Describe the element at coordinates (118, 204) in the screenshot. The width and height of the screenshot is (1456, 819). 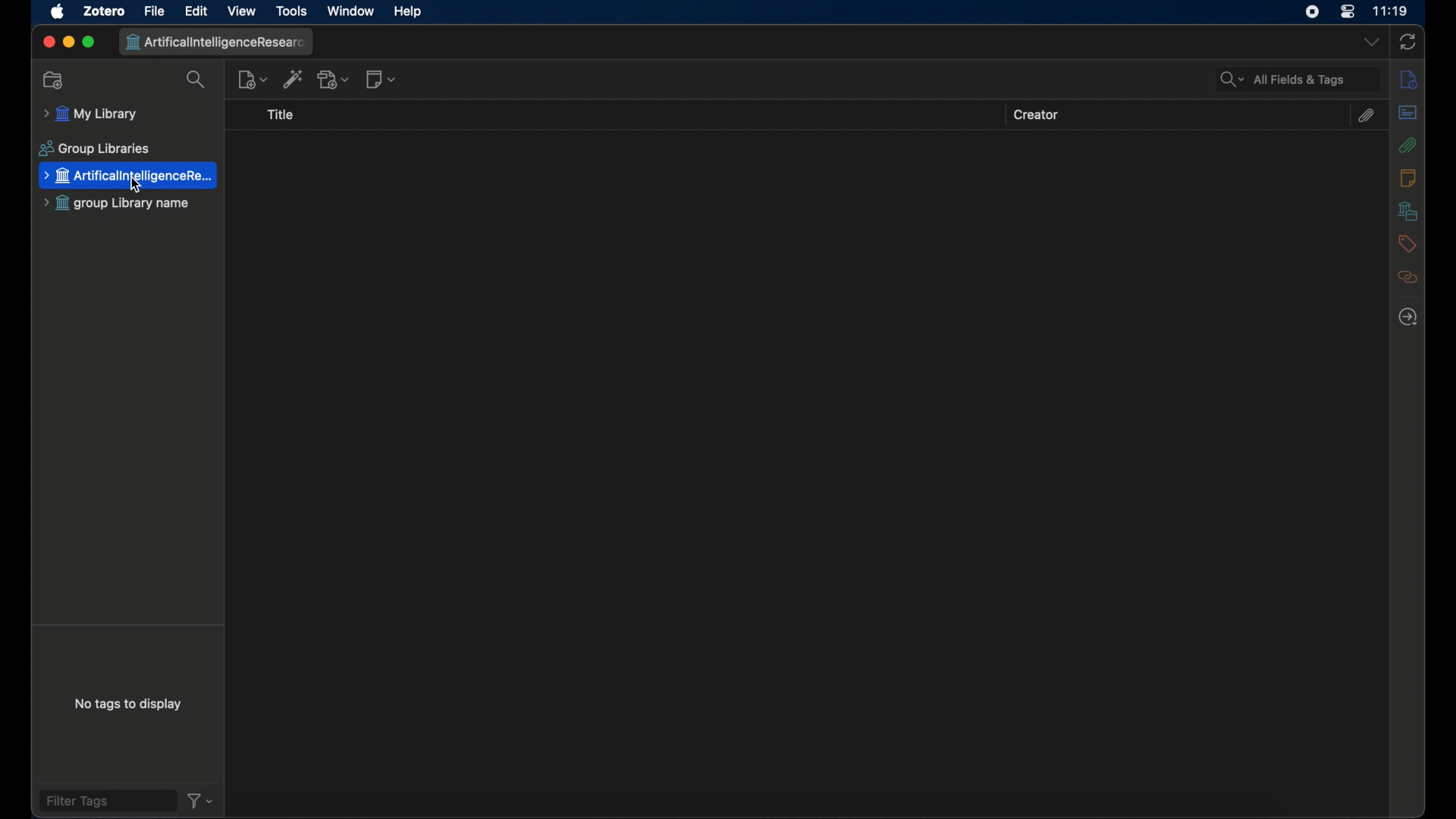
I see `group library ` at that location.